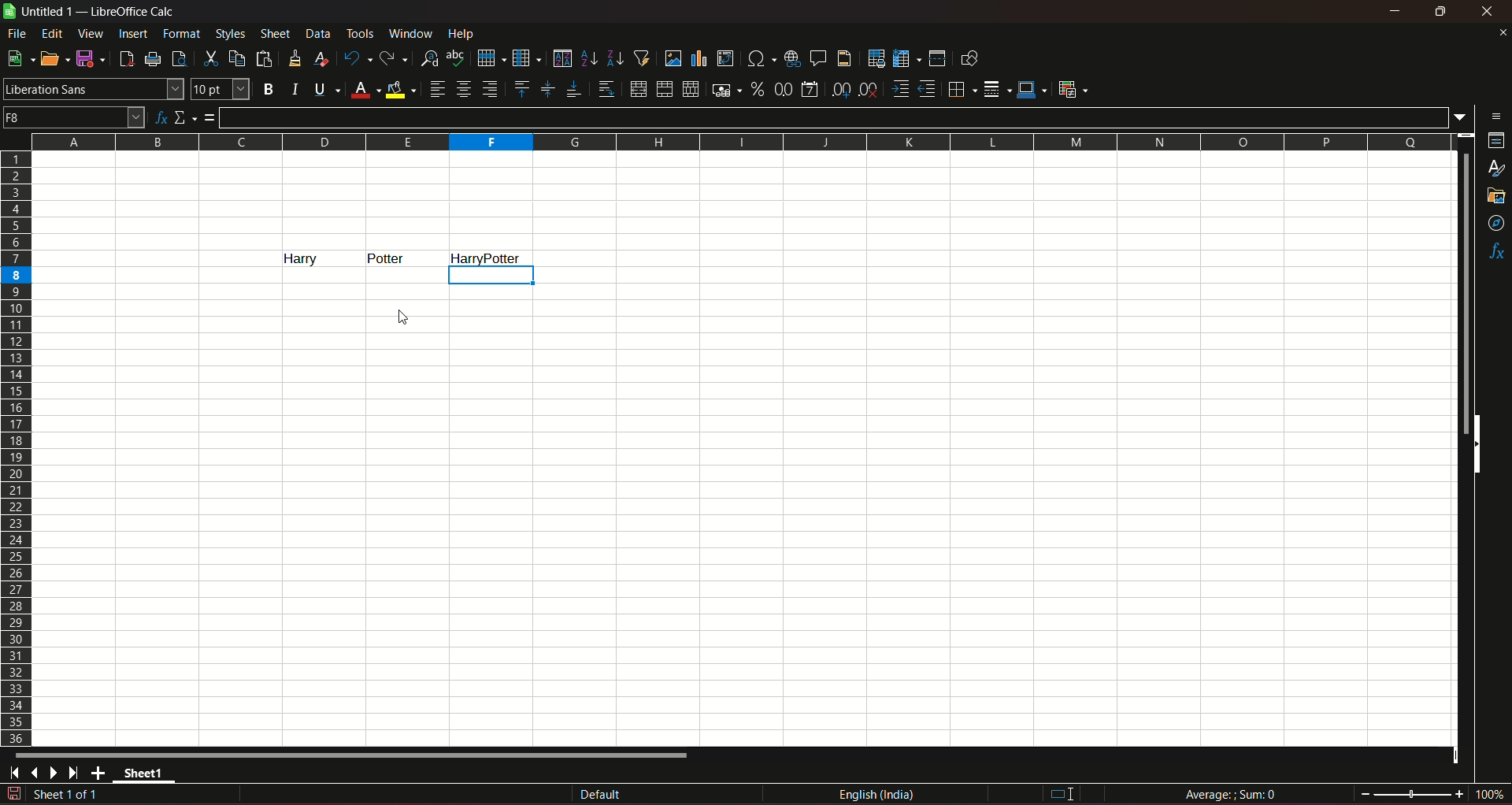 This screenshot has height=805, width=1512. I want to click on cut, so click(209, 58).